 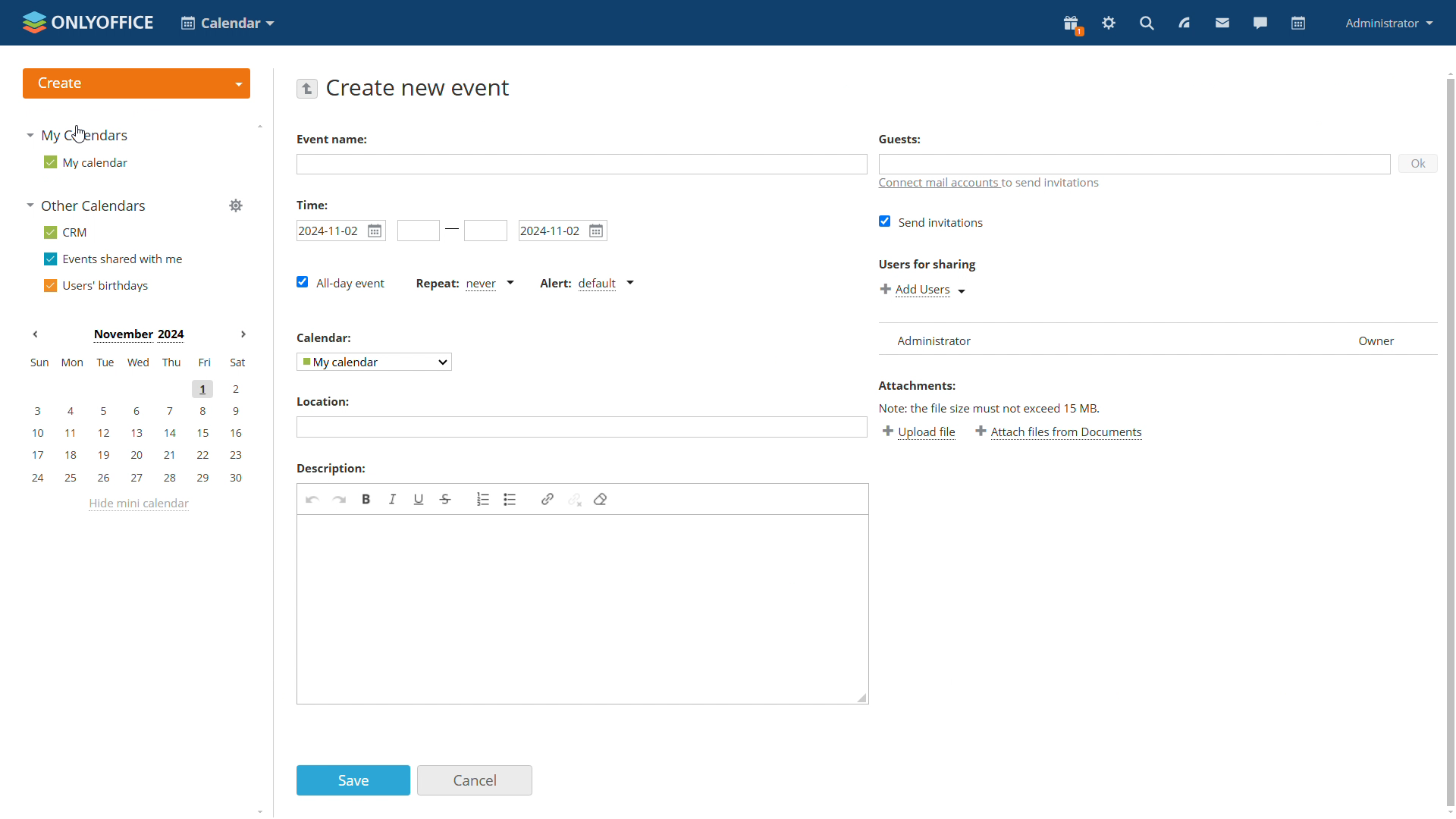 What do you see at coordinates (394, 500) in the screenshot?
I see `italic` at bounding box center [394, 500].